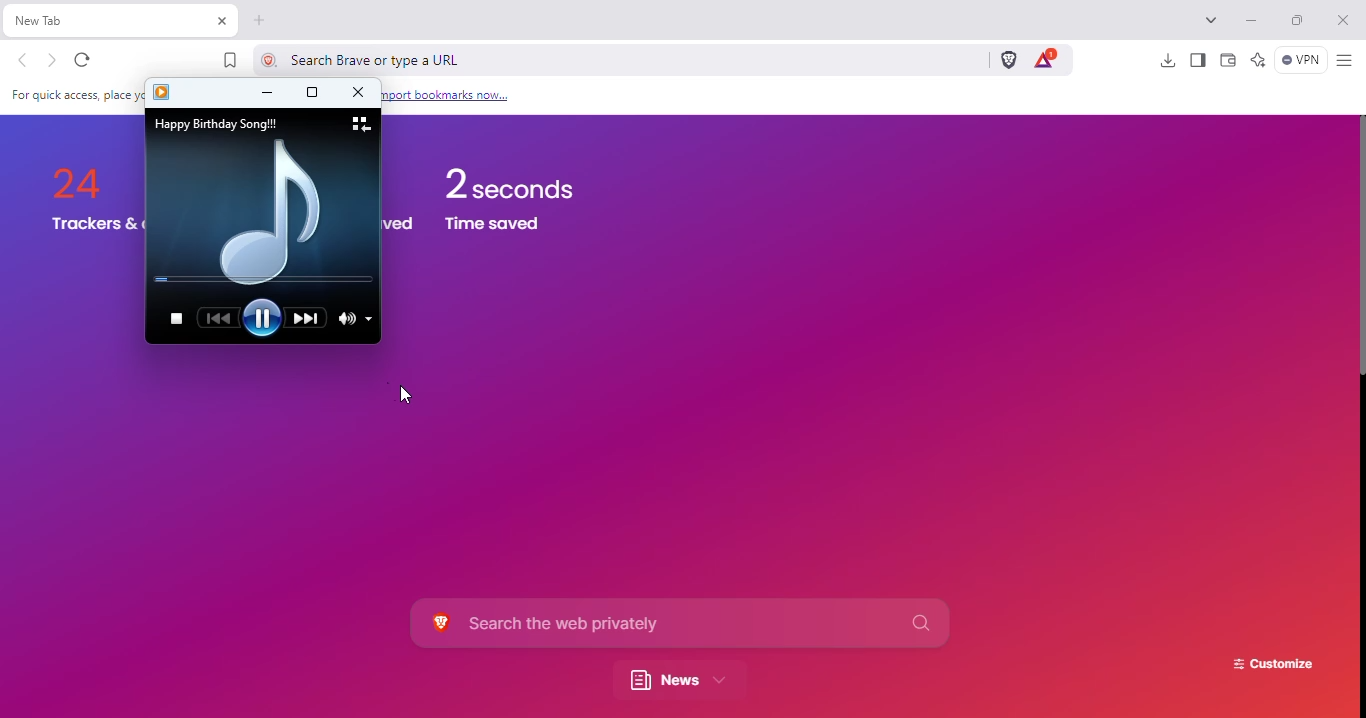  What do you see at coordinates (676, 681) in the screenshot?
I see `news` at bounding box center [676, 681].